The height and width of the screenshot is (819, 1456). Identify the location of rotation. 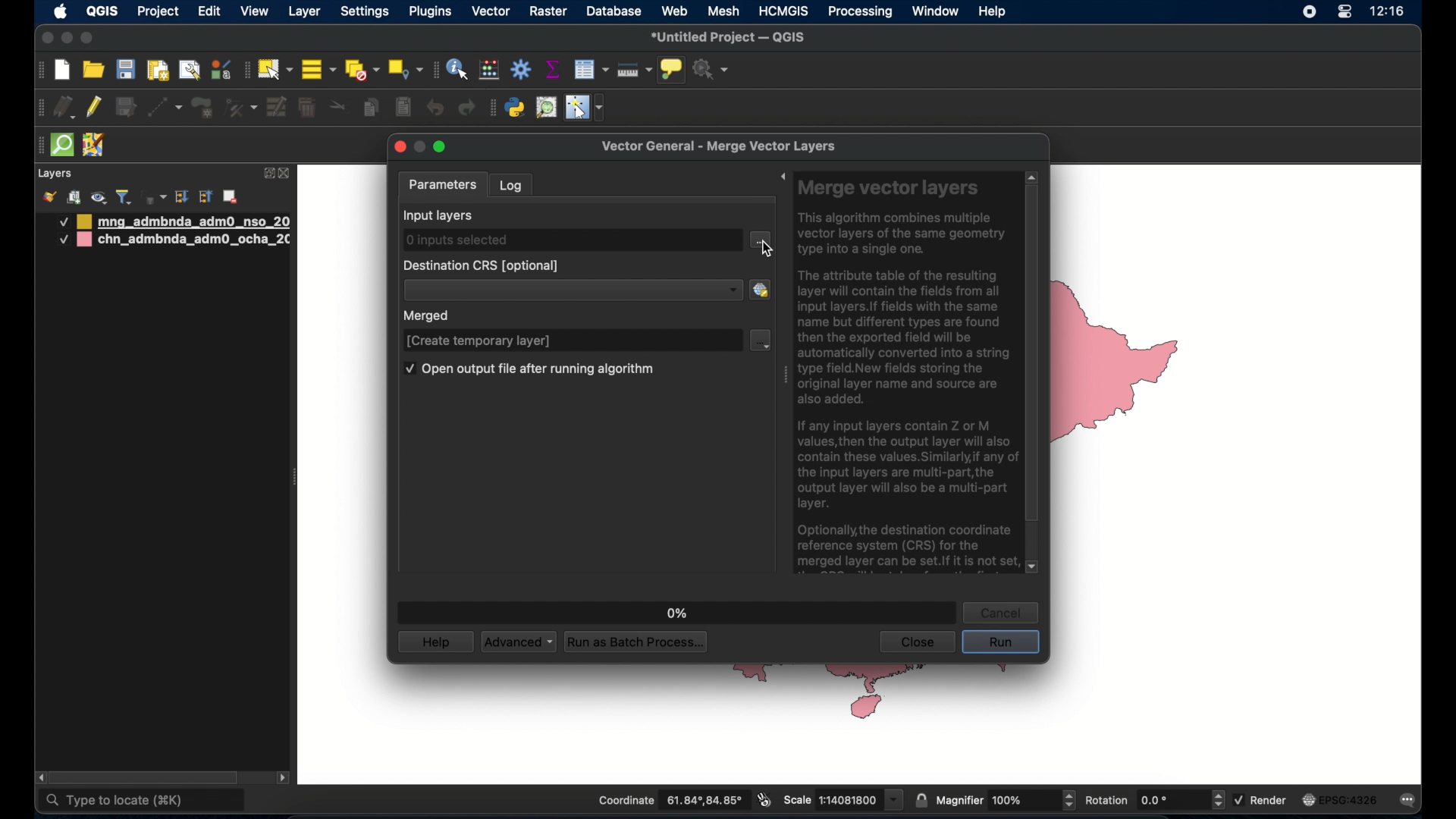
(1153, 801).